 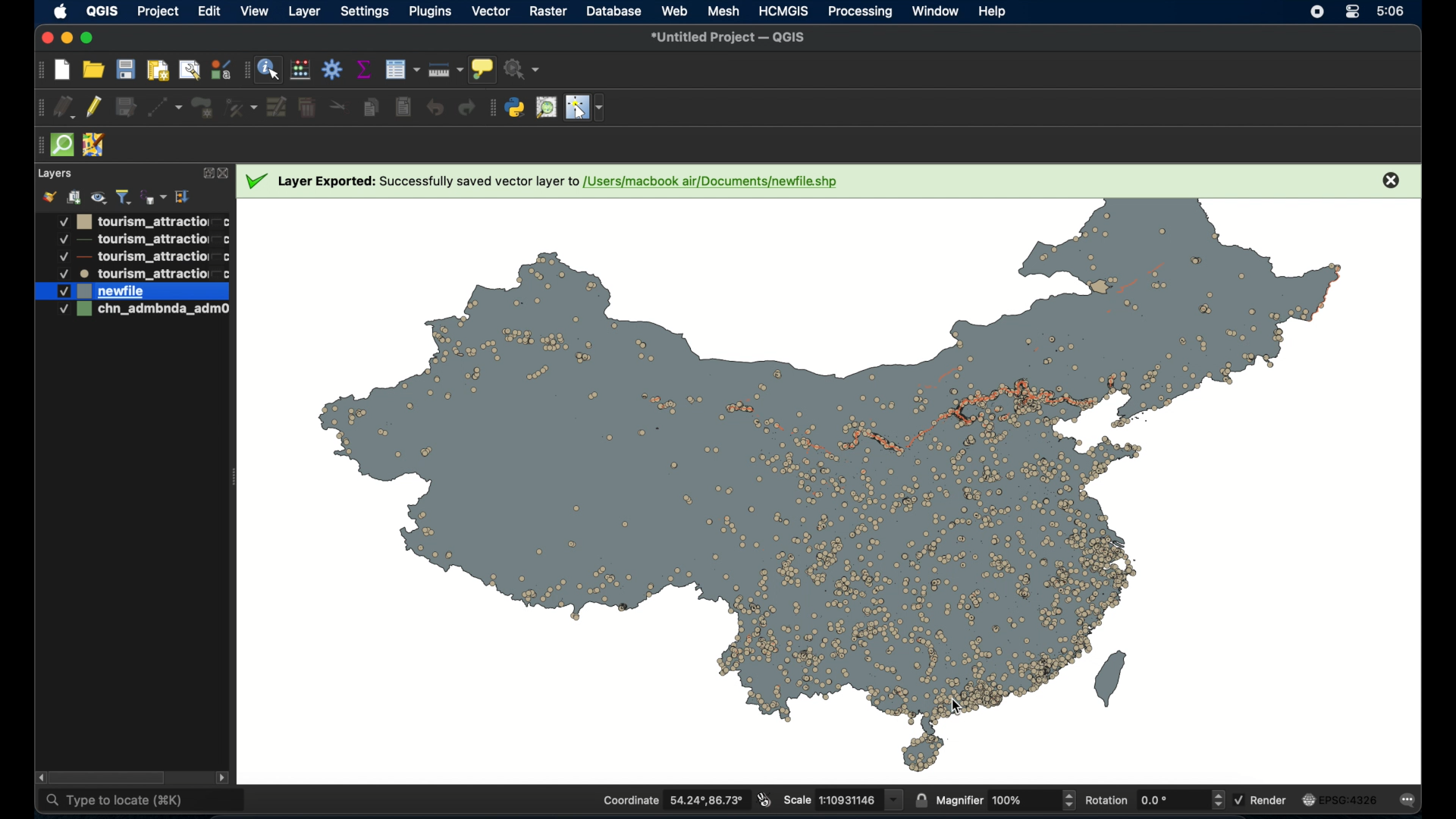 What do you see at coordinates (402, 71) in the screenshot?
I see `open attribute table` at bounding box center [402, 71].